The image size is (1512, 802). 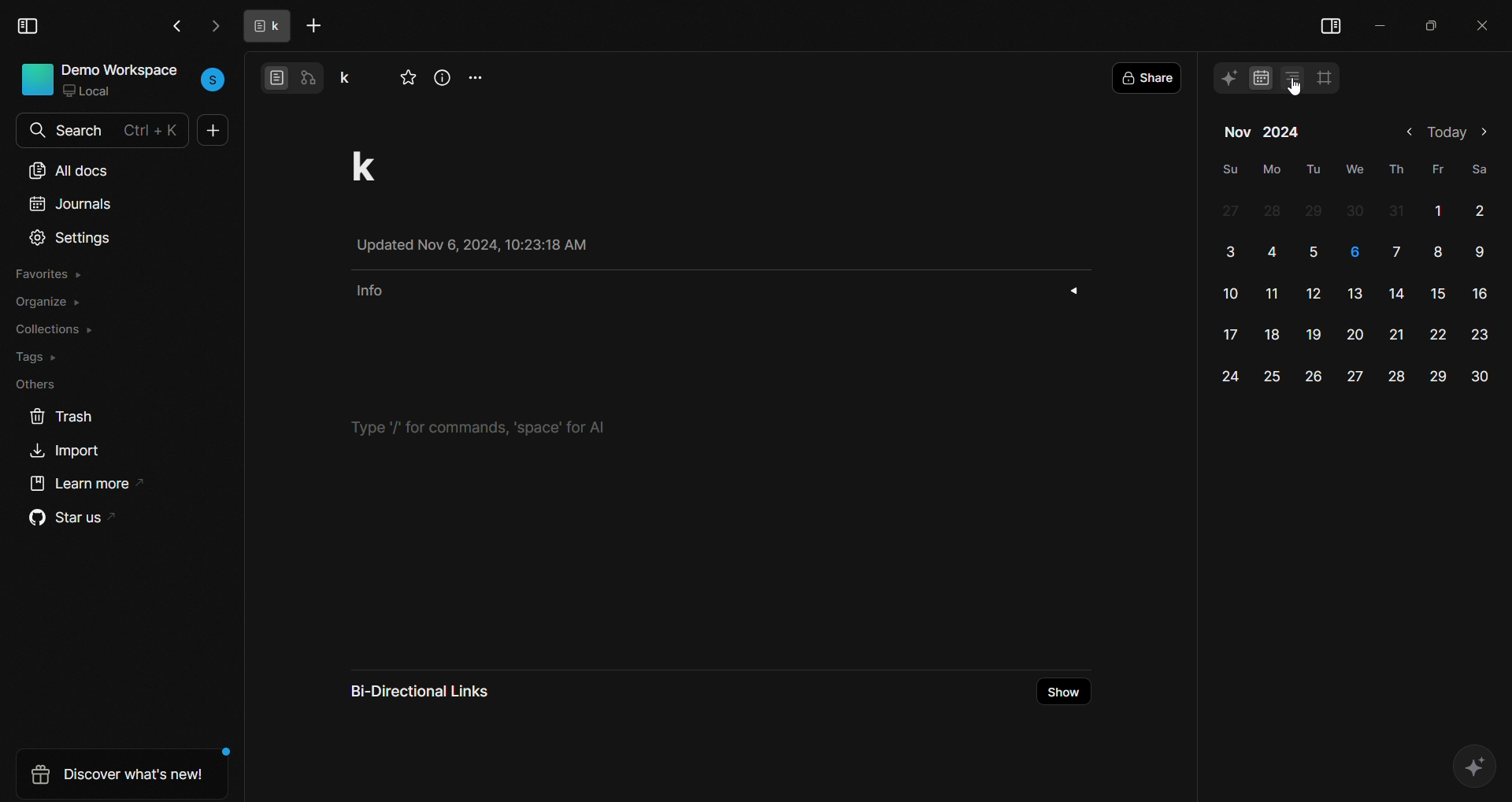 I want to click on close, so click(x=1483, y=23).